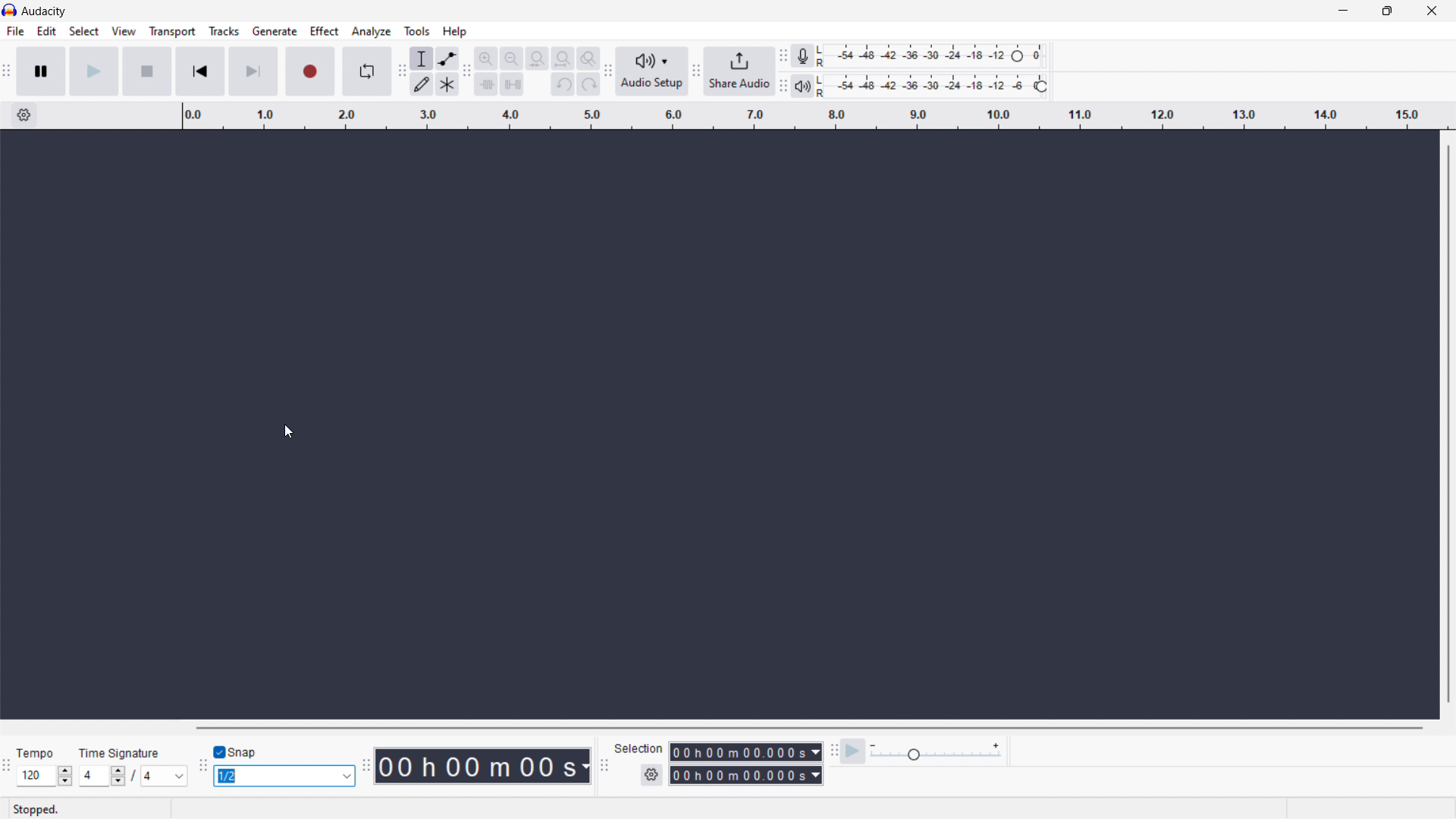 Image resolution: width=1456 pixels, height=819 pixels. I want to click on analyze, so click(372, 32).